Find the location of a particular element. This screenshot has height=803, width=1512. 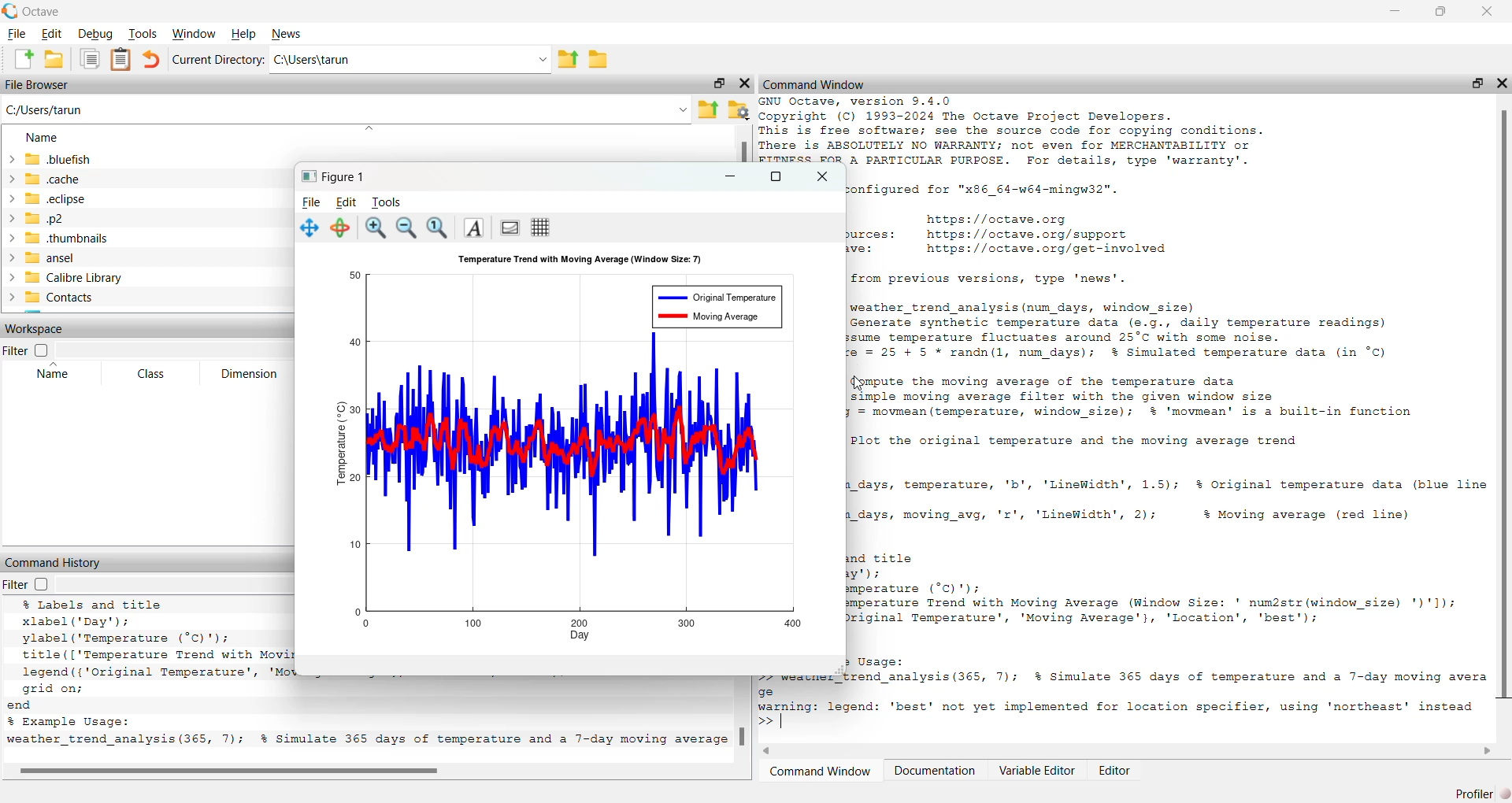

Class is located at coordinates (151, 375).